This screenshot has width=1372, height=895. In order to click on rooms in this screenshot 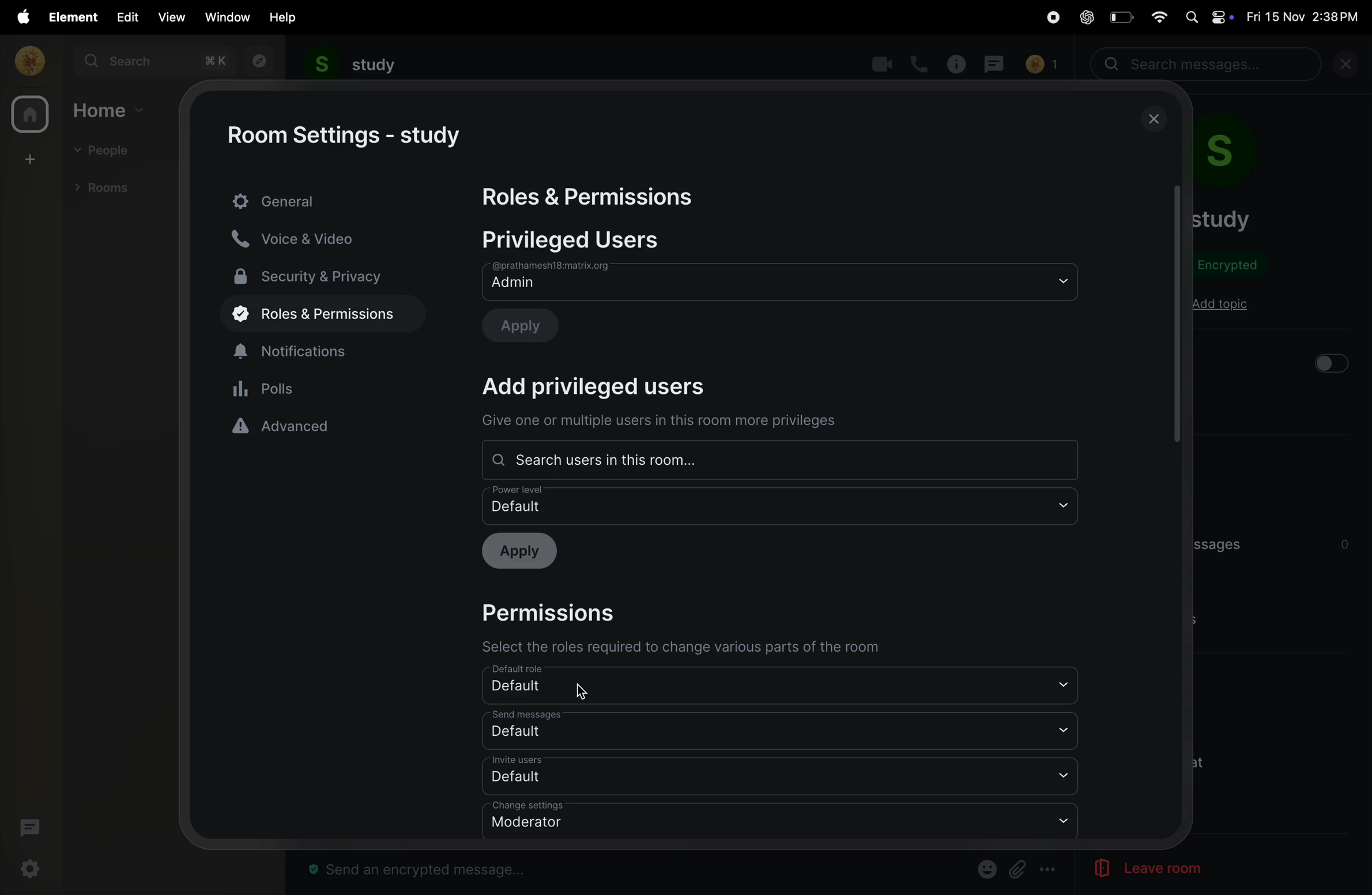, I will do `click(107, 186)`.